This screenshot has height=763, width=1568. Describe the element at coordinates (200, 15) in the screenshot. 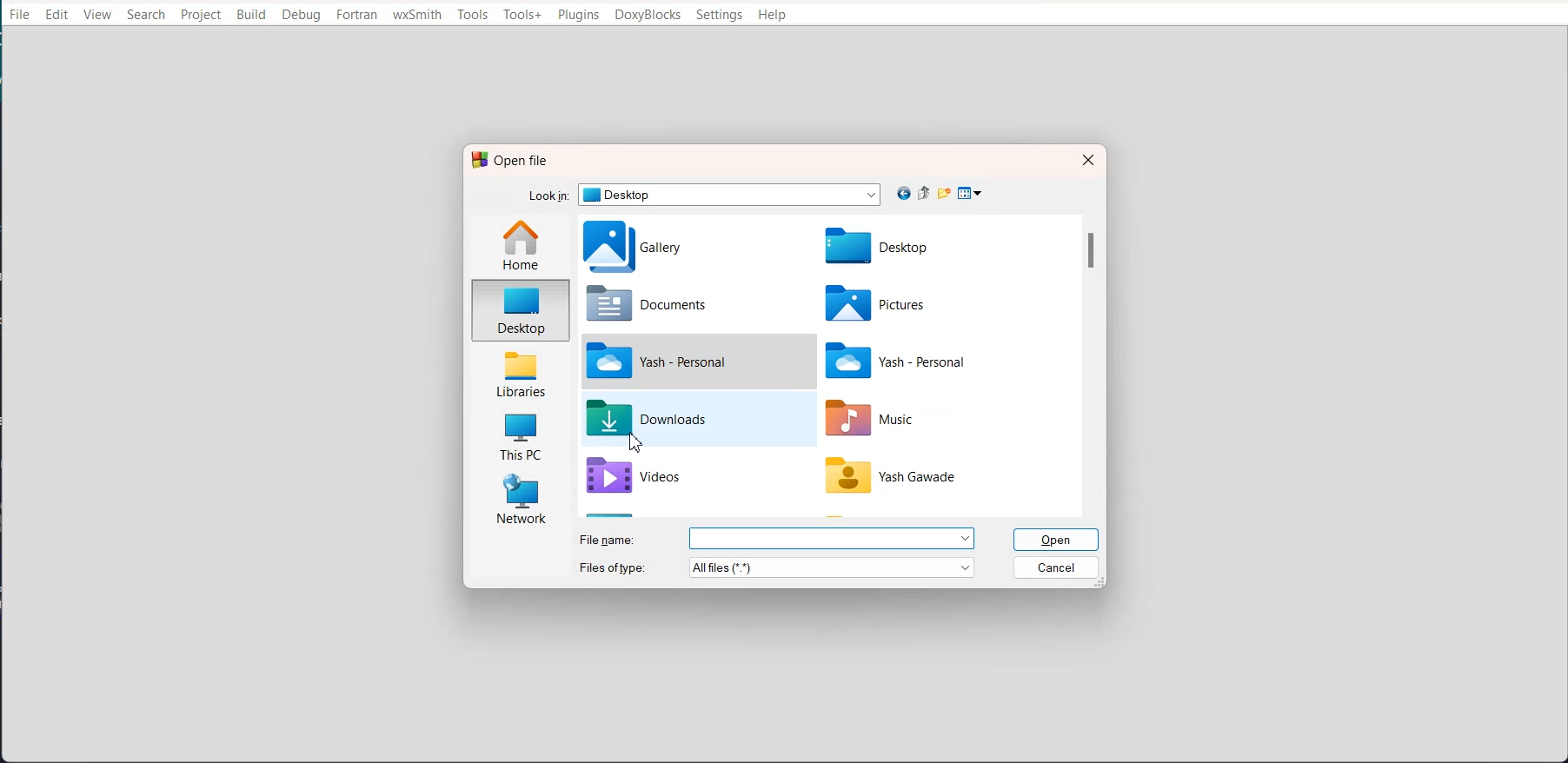

I see `Project` at that location.